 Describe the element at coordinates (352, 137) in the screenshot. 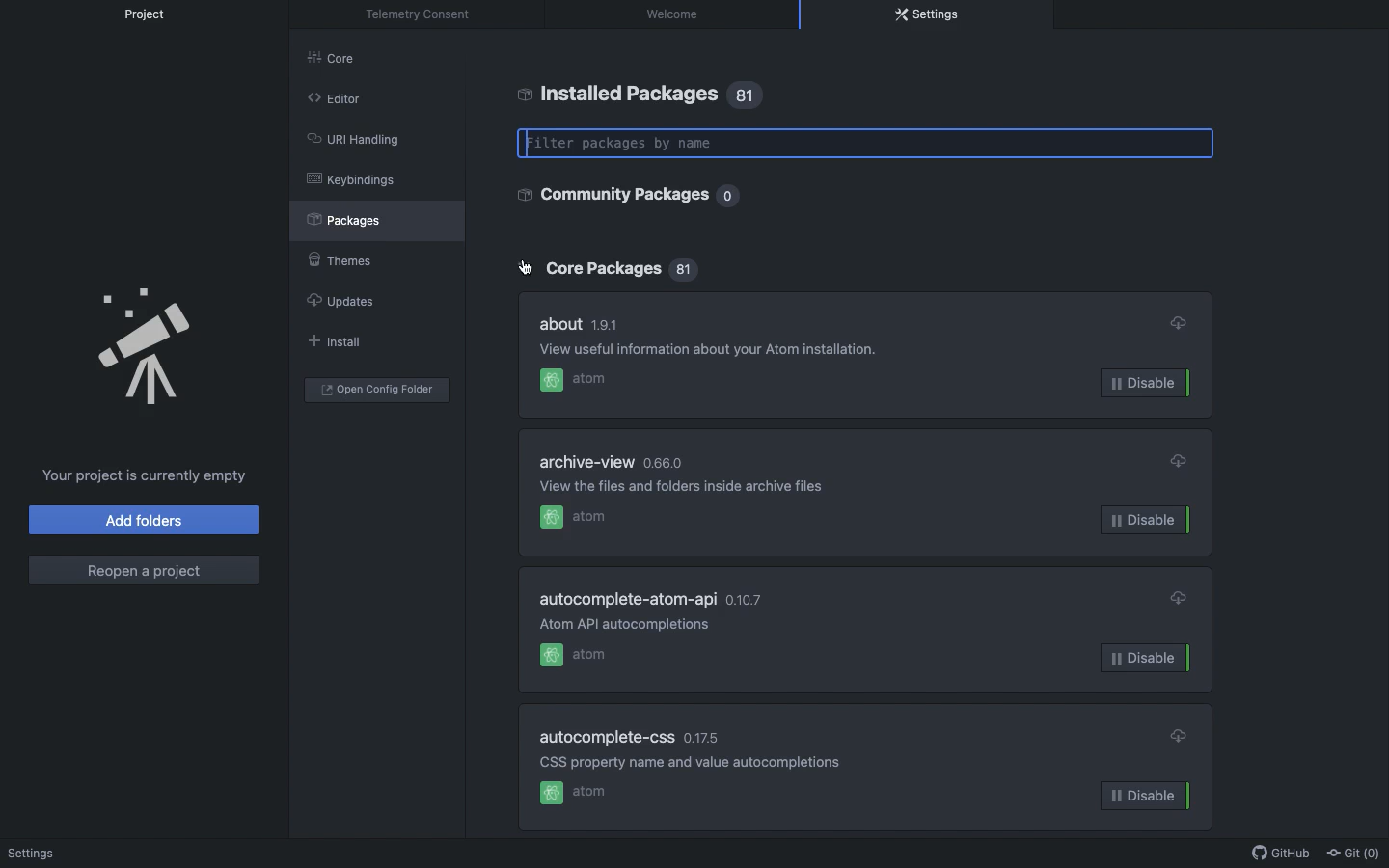

I see `URL handling` at that location.